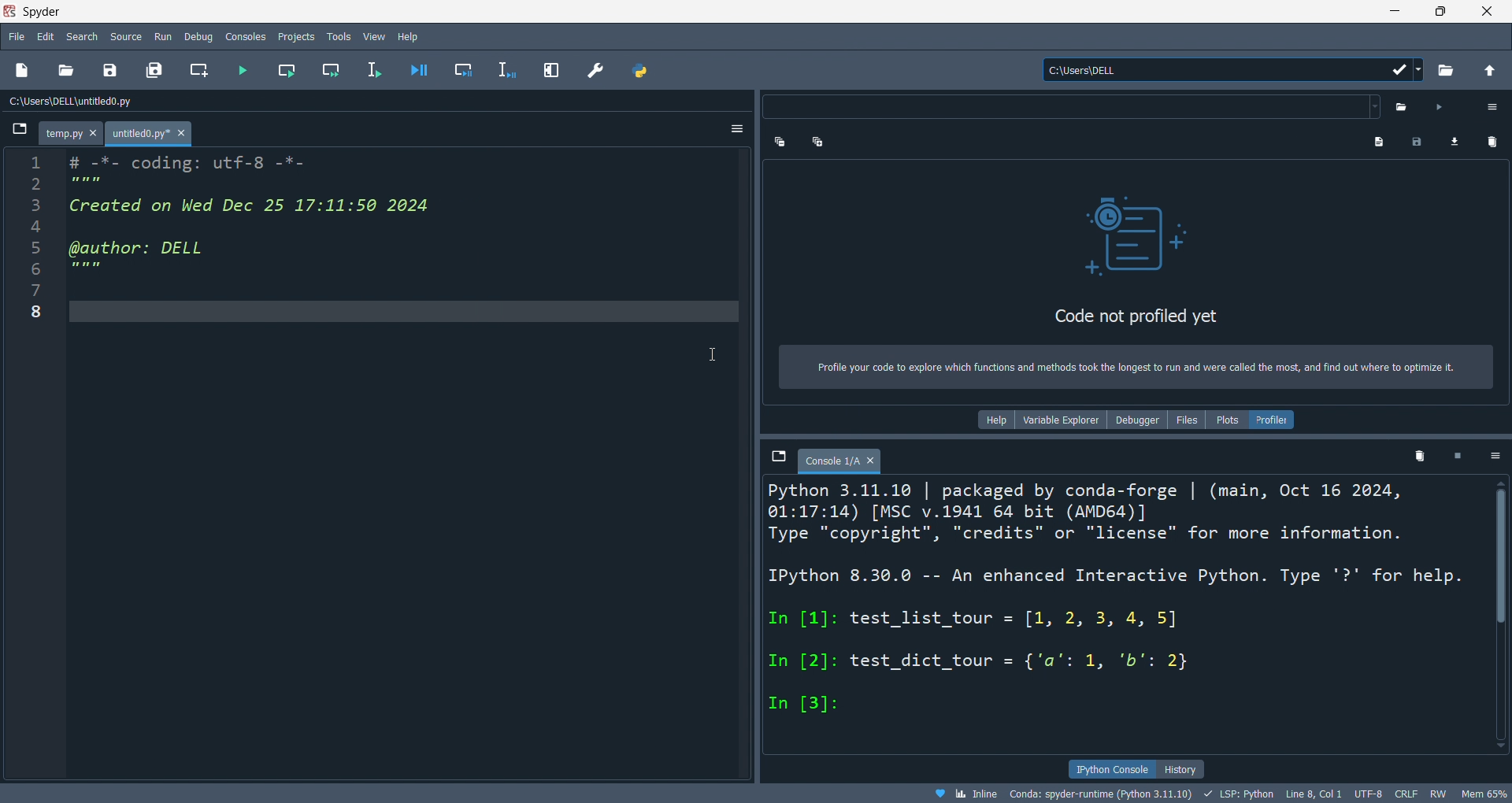  What do you see at coordinates (1063, 420) in the screenshot?
I see `variable explorer` at bounding box center [1063, 420].